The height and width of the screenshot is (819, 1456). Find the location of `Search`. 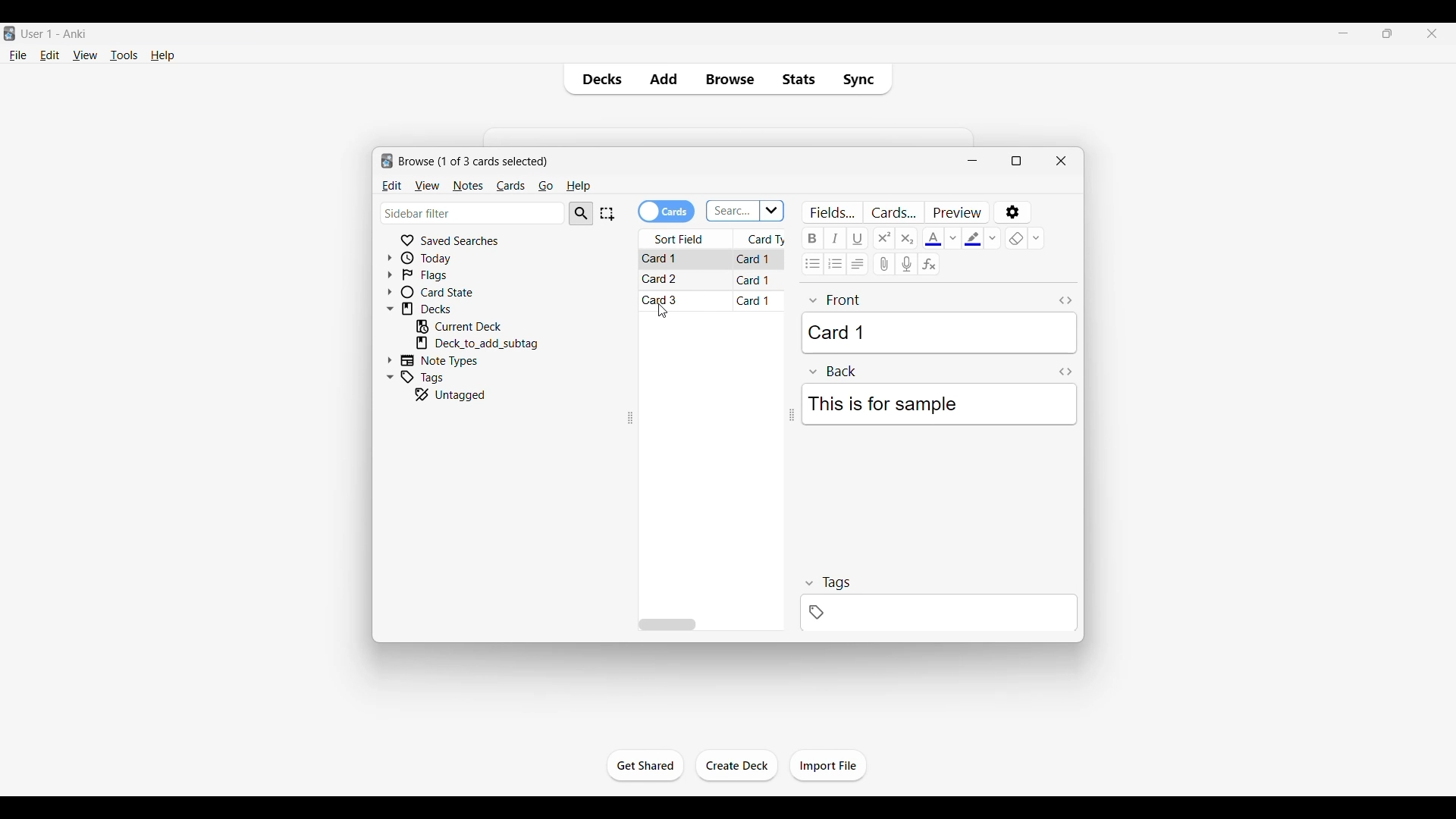

Search is located at coordinates (581, 214).